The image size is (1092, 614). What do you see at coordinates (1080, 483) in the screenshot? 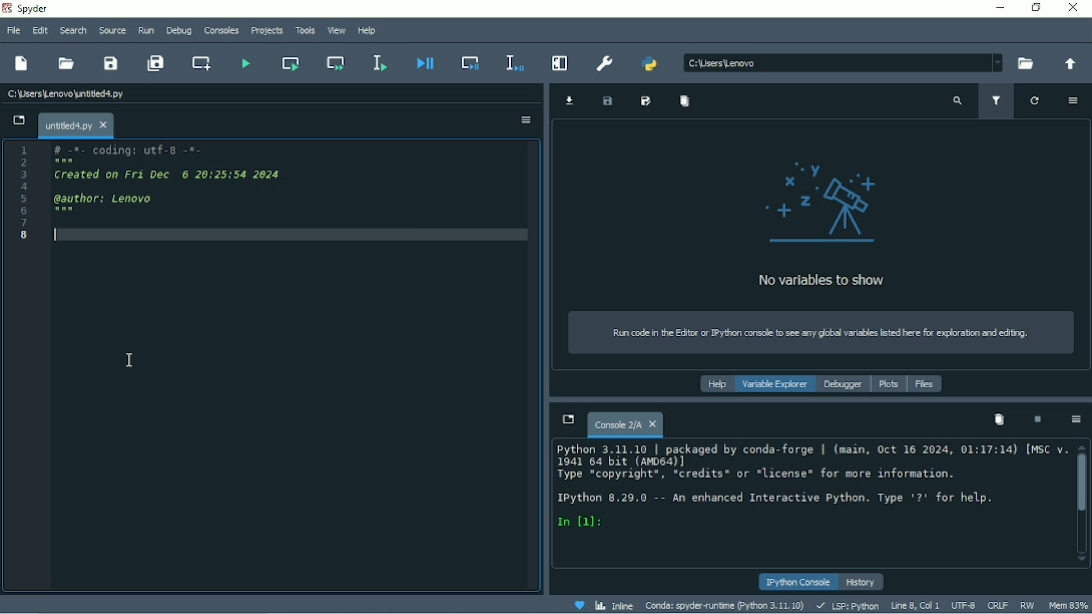
I see `Vertical scrollbar` at bounding box center [1080, 483].